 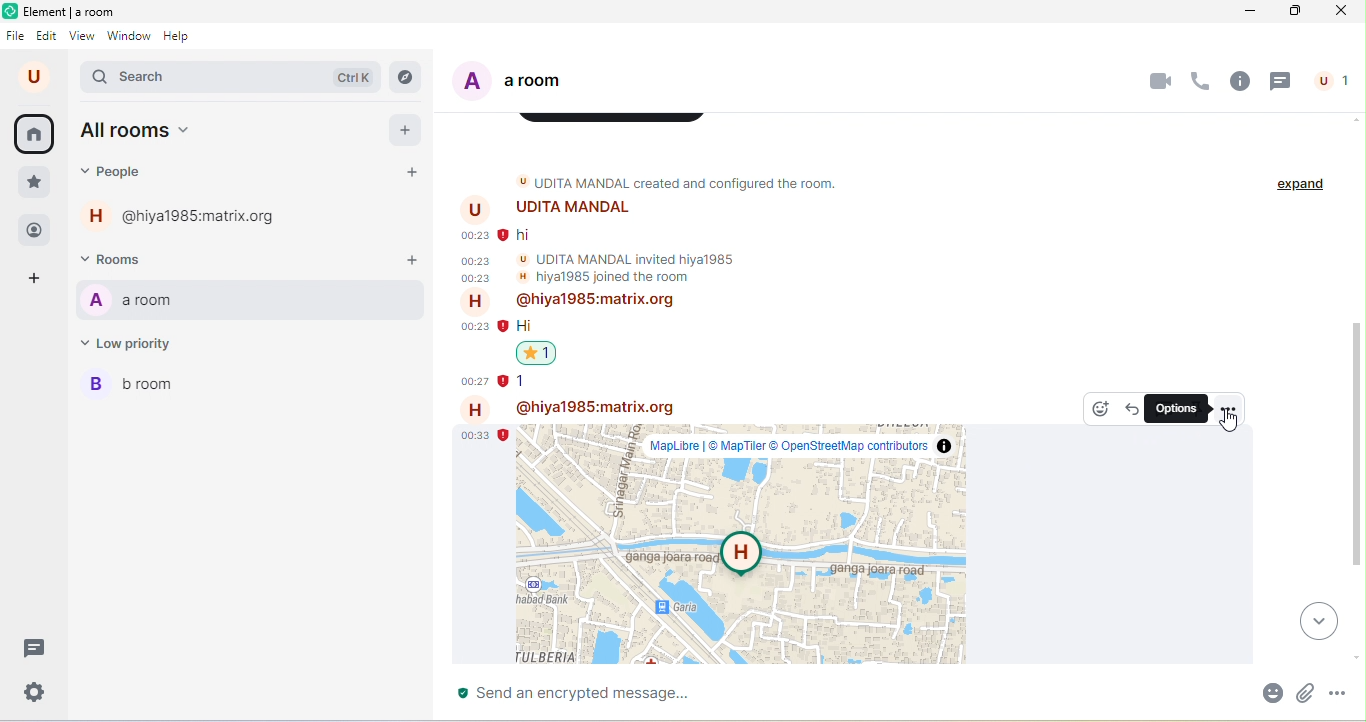 What do you see at coordinates (1355, 119) in the screenshot?
I see `scroll up` at bounding box center [1355, 119].